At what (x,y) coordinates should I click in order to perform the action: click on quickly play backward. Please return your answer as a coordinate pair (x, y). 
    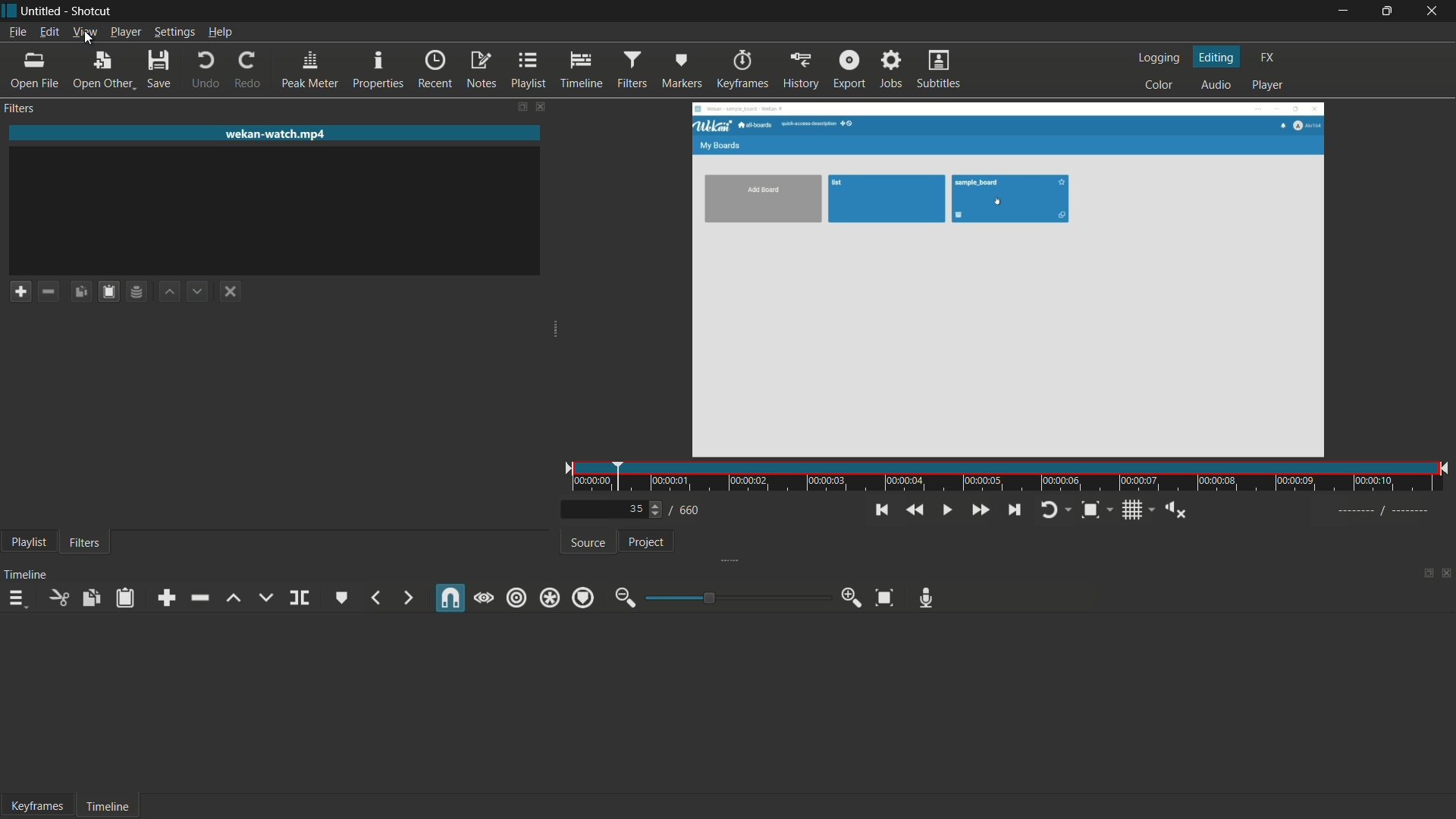
    Looking at the image, I should click on (913, 510).